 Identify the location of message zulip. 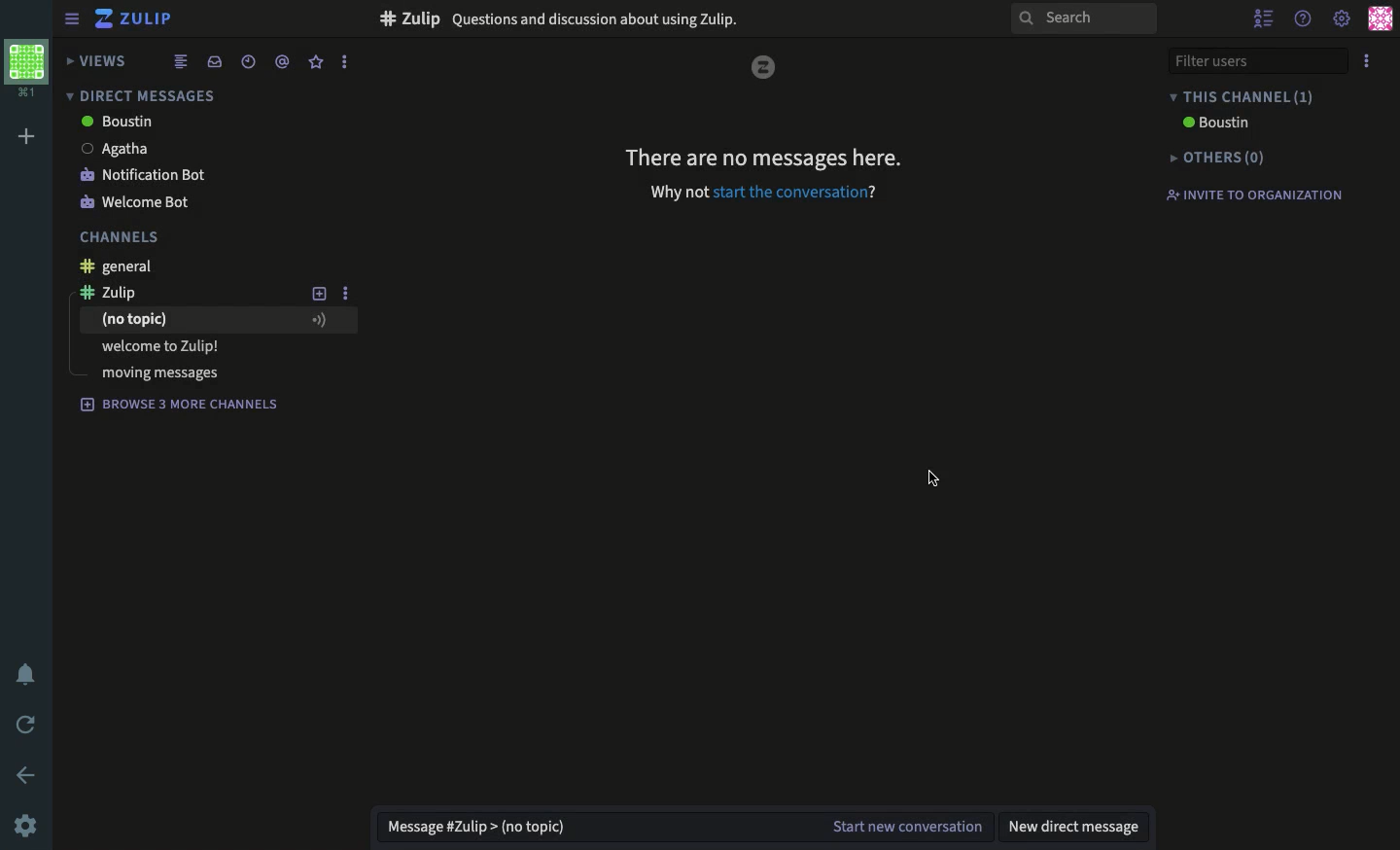
(476, 820).